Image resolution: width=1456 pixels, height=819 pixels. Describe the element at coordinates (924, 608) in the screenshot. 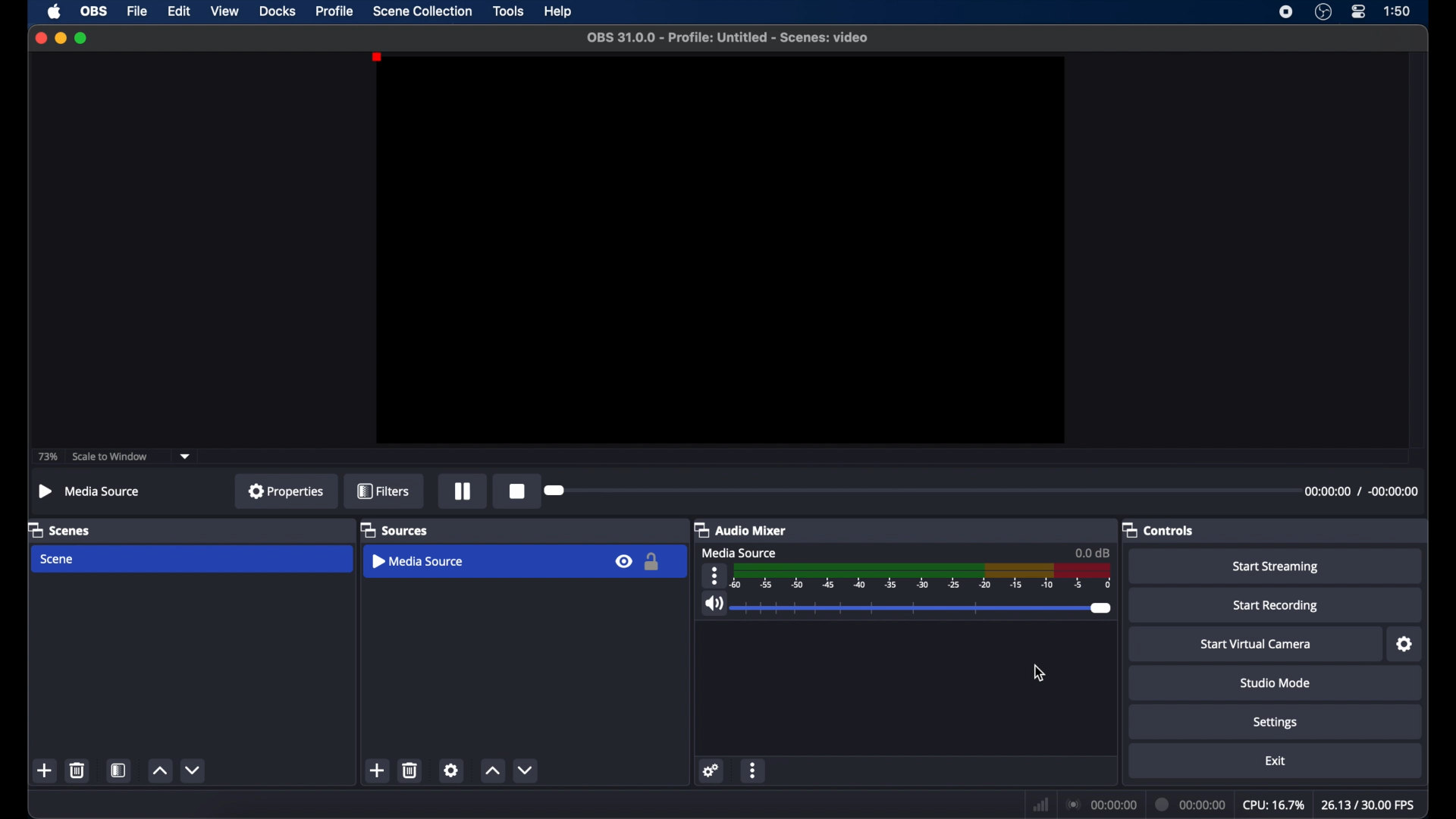

I see `slider` at that location.